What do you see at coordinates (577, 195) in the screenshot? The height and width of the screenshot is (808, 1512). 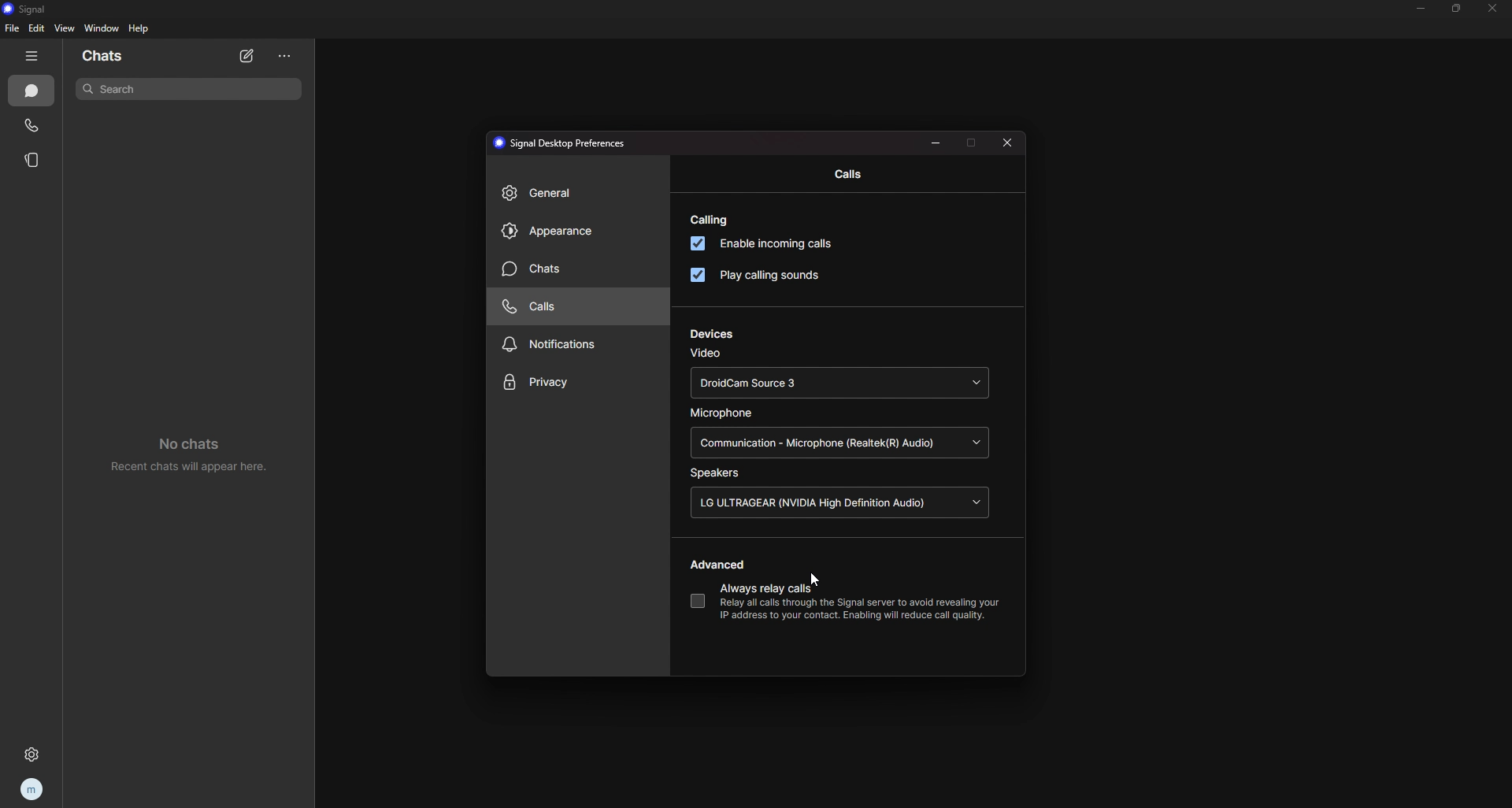 I see `general` at bounding box center [577, 195].